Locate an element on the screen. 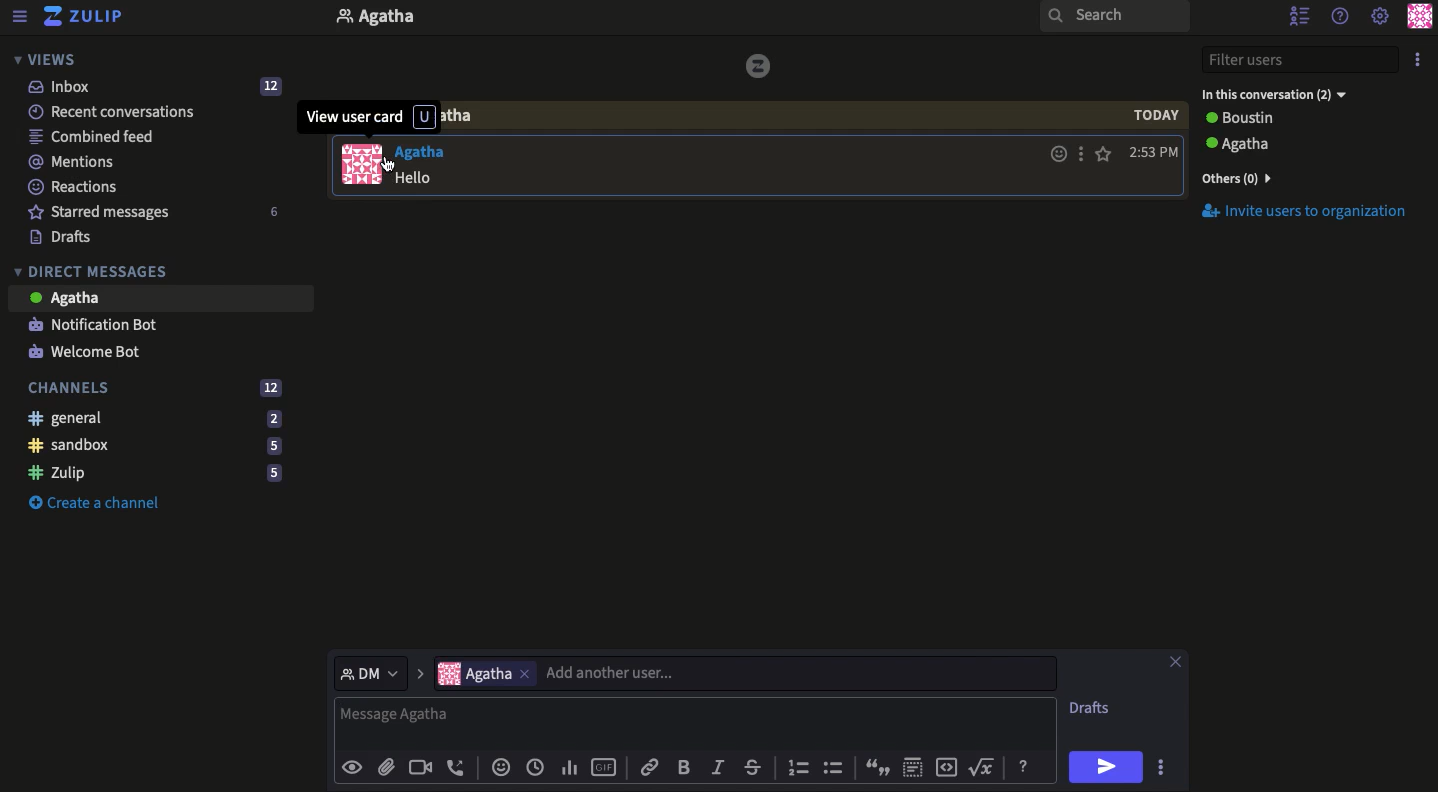 This screenshot has width=1438, height=792. Starred messages is located at coordinates (156, 211).